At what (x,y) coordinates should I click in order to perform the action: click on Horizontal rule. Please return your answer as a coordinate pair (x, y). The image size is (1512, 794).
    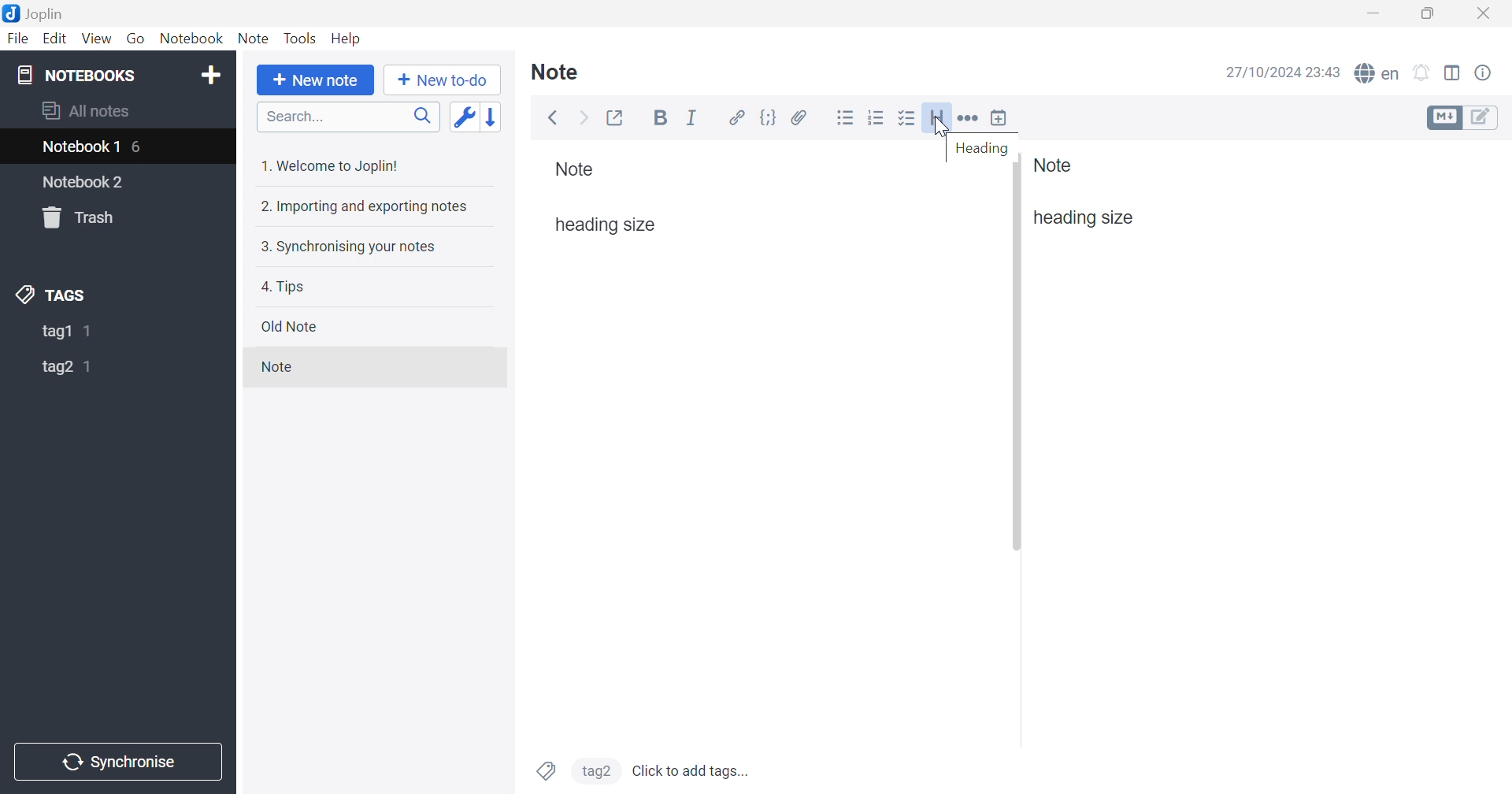
    Looking at the image, I should click on (969, 119).